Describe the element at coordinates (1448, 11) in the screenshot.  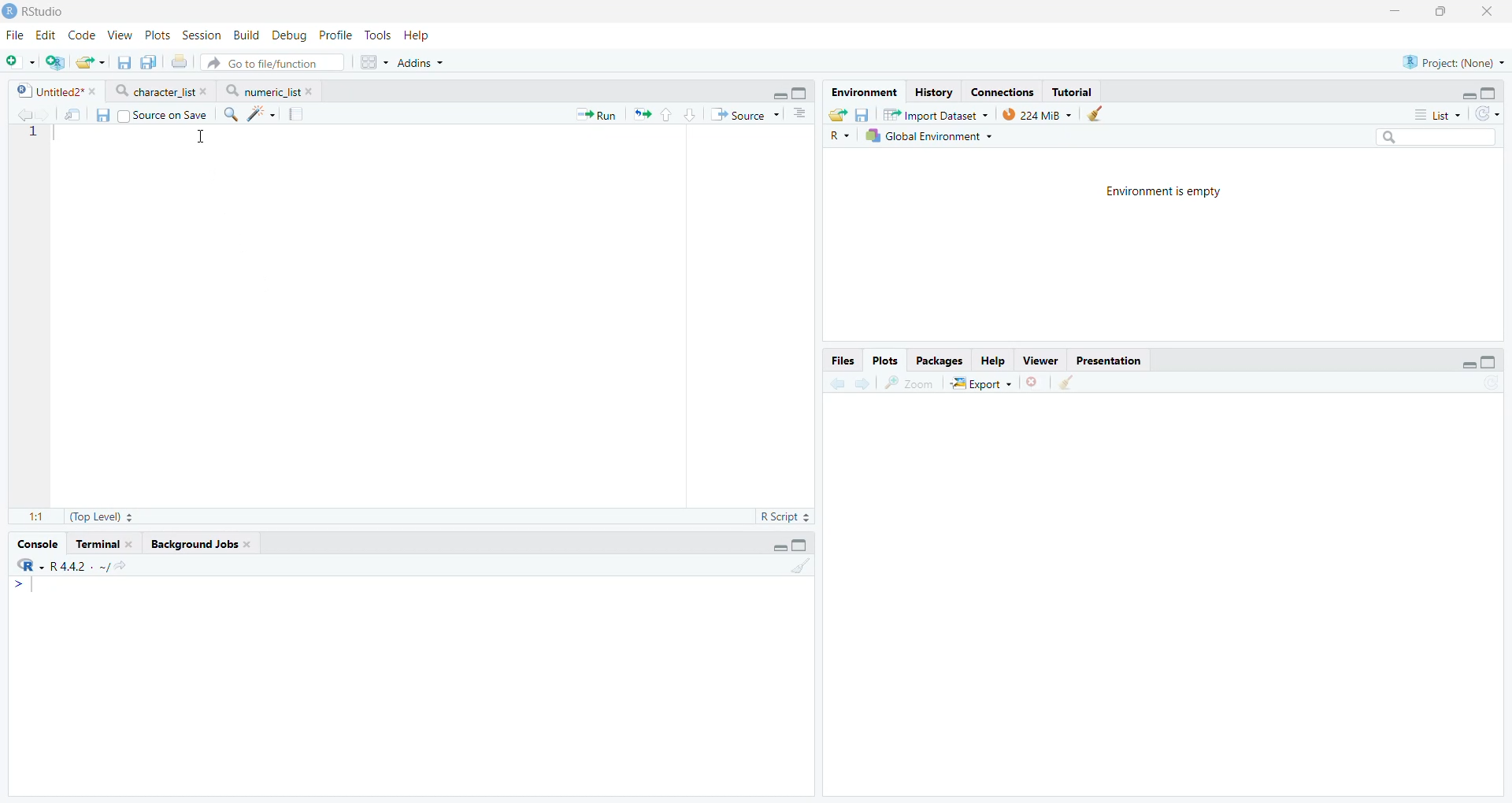
I see `Maximize` at that location.